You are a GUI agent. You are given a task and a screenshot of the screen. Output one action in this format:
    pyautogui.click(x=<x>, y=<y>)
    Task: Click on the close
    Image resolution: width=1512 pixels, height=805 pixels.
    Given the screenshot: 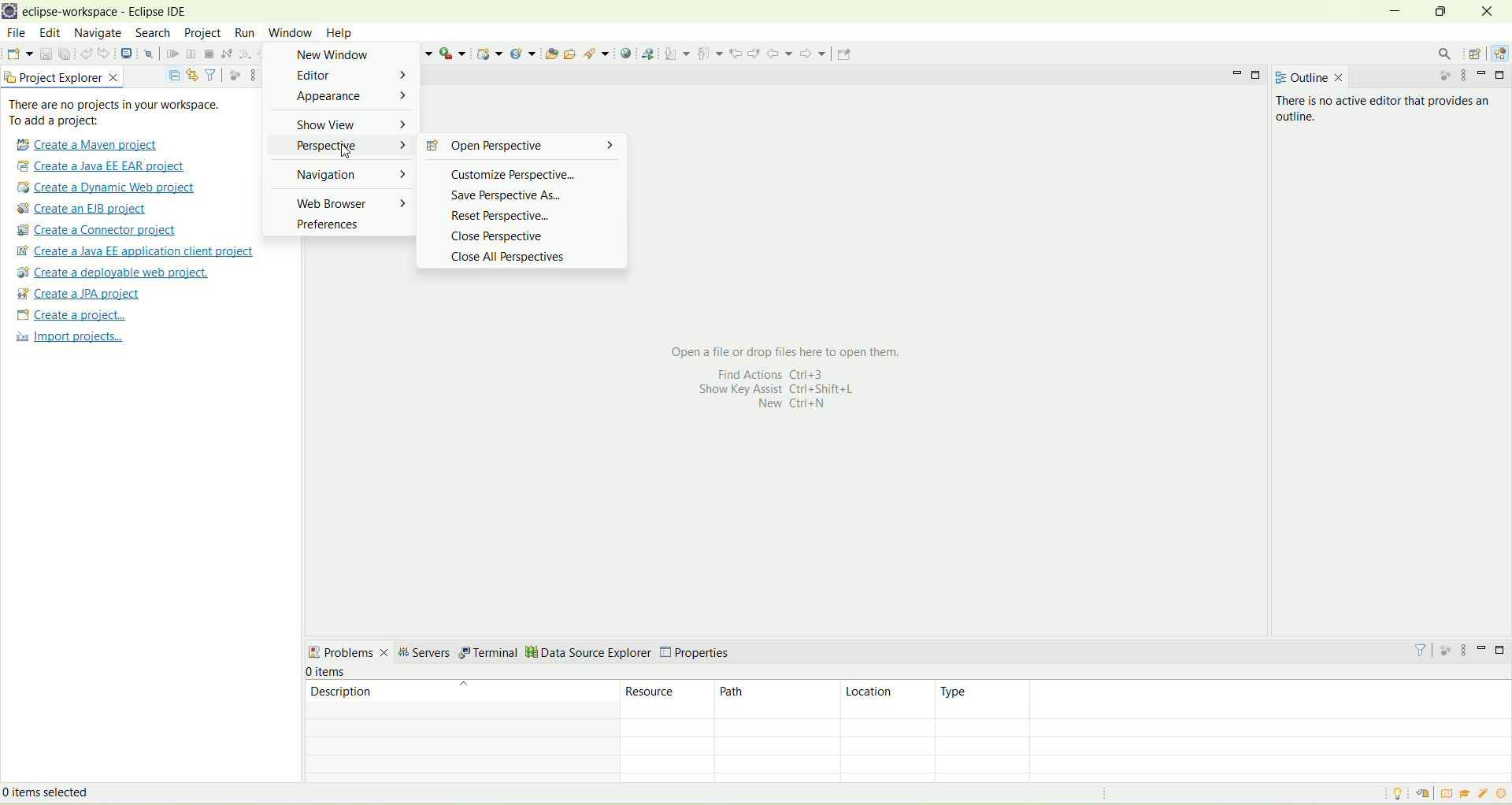 What is the action you would take?
    pyautogui.click(x=1484, y=10)
    